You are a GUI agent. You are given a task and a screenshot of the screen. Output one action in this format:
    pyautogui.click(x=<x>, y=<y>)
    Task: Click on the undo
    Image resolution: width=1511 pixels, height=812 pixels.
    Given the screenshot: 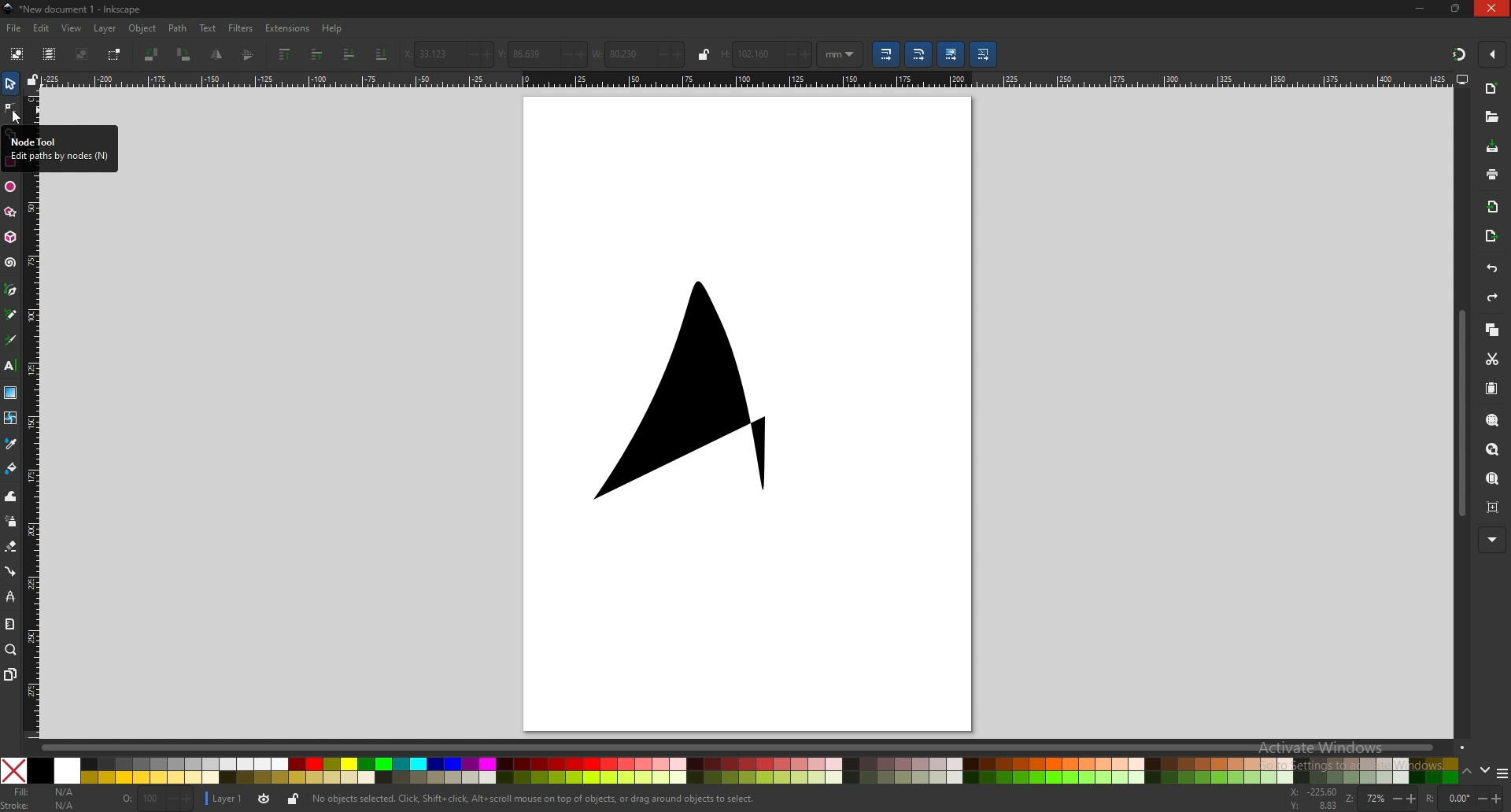 What is the action you would take?
    pyautogui.click(x=1492, y=269)
    